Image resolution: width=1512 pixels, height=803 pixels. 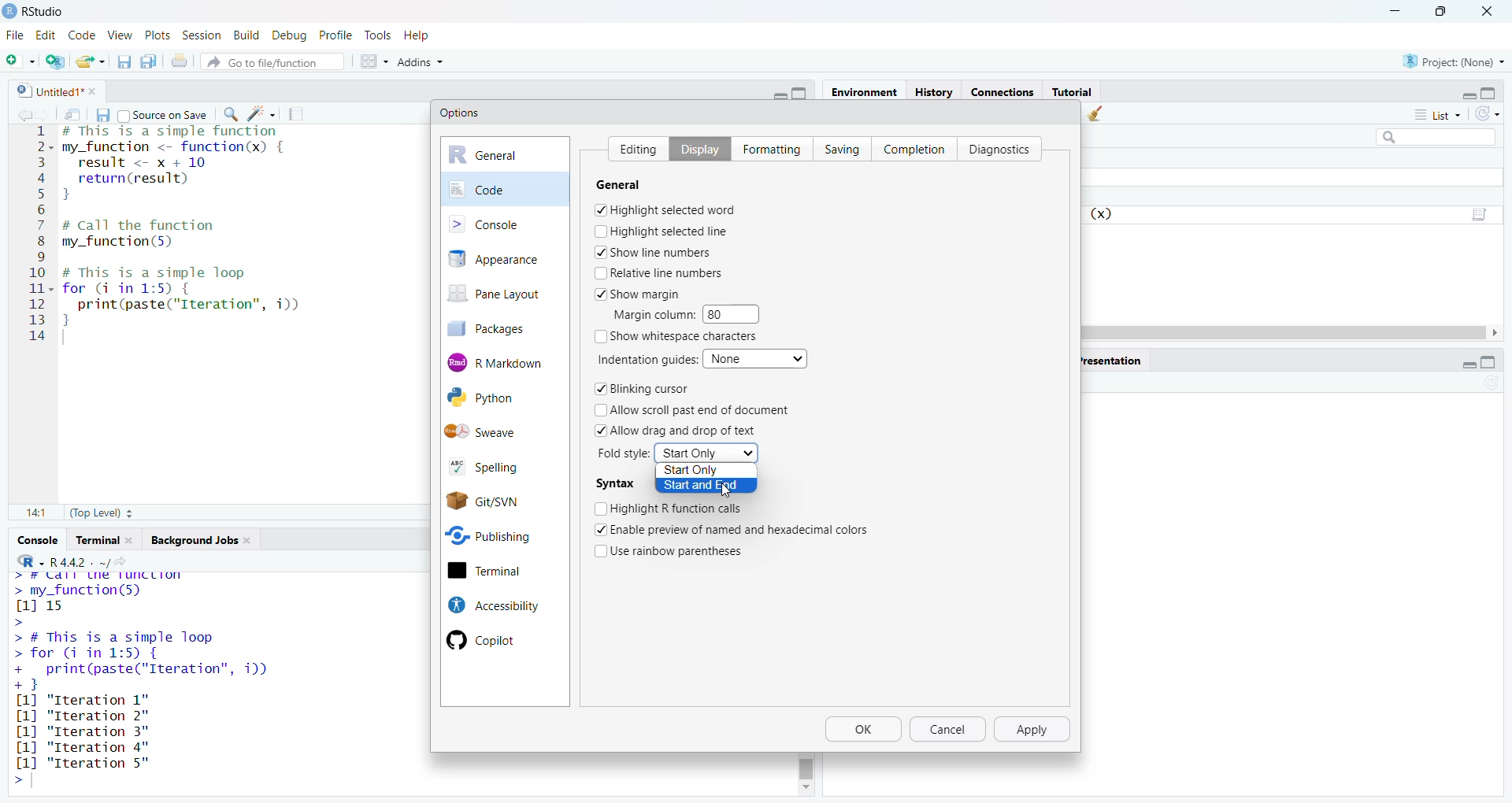 What do you see at coordinates (86, 716) in the screenshot?
I see `[1] "Iteration 2"` at bounding box center [86, 716].